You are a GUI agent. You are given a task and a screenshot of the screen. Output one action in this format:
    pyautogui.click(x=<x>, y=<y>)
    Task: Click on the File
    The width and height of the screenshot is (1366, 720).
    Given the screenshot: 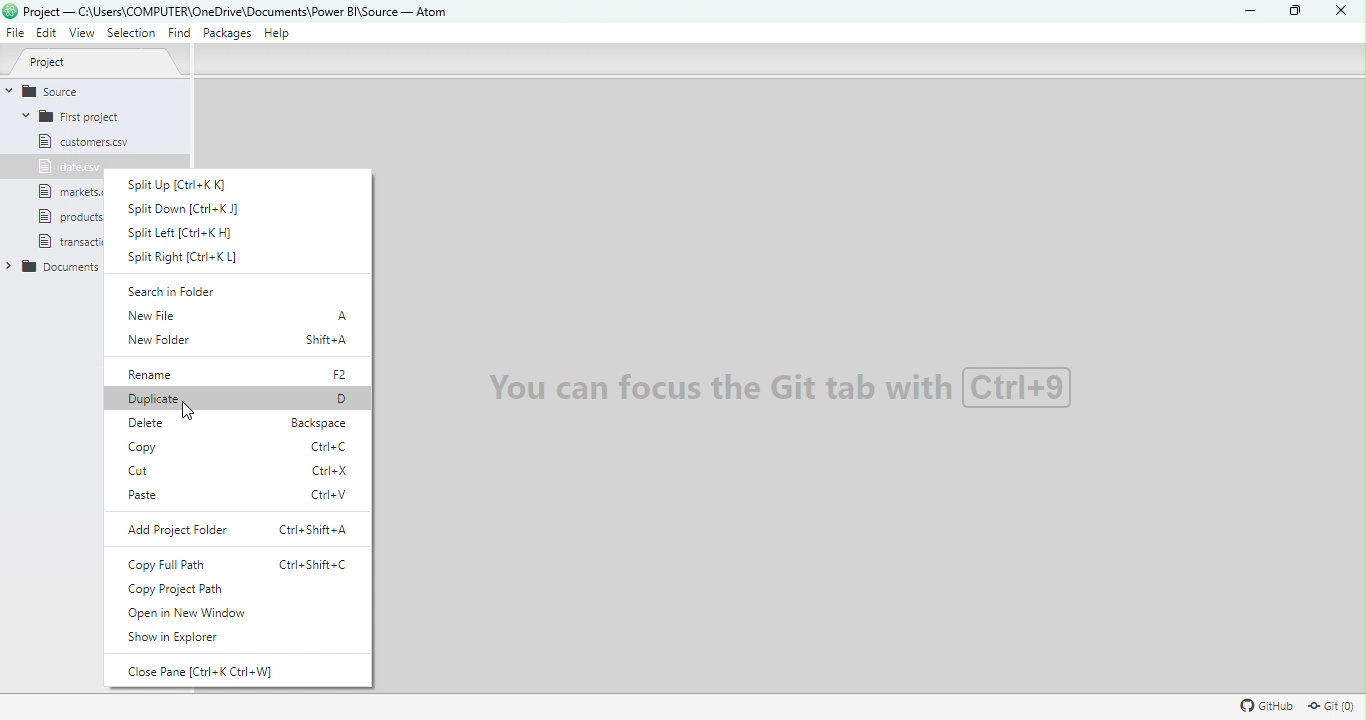 What is the action you would take?
    pyautogui.click(x=82, y=141)
    